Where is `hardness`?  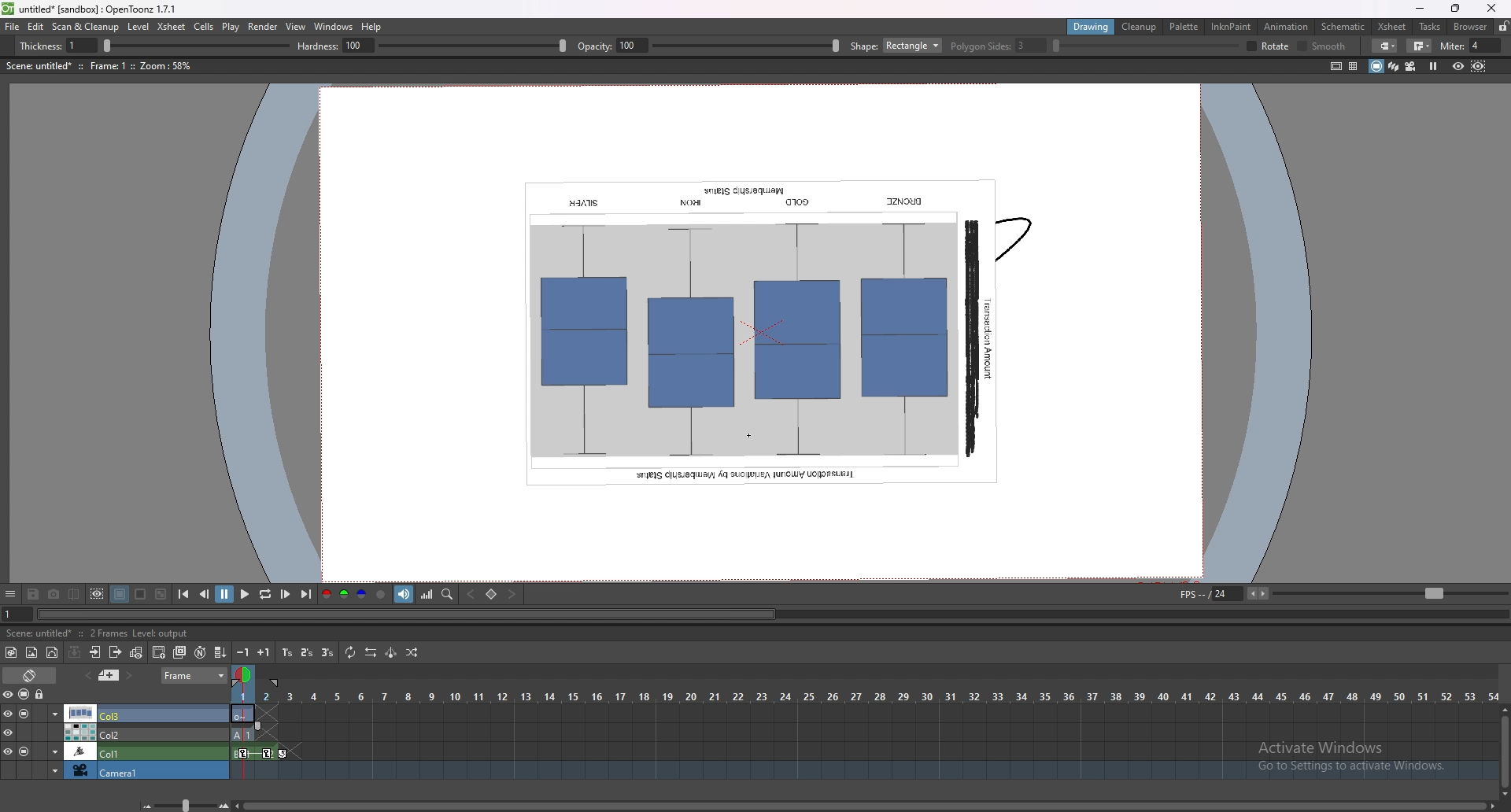 hardness is located at coordinates (448, 46).